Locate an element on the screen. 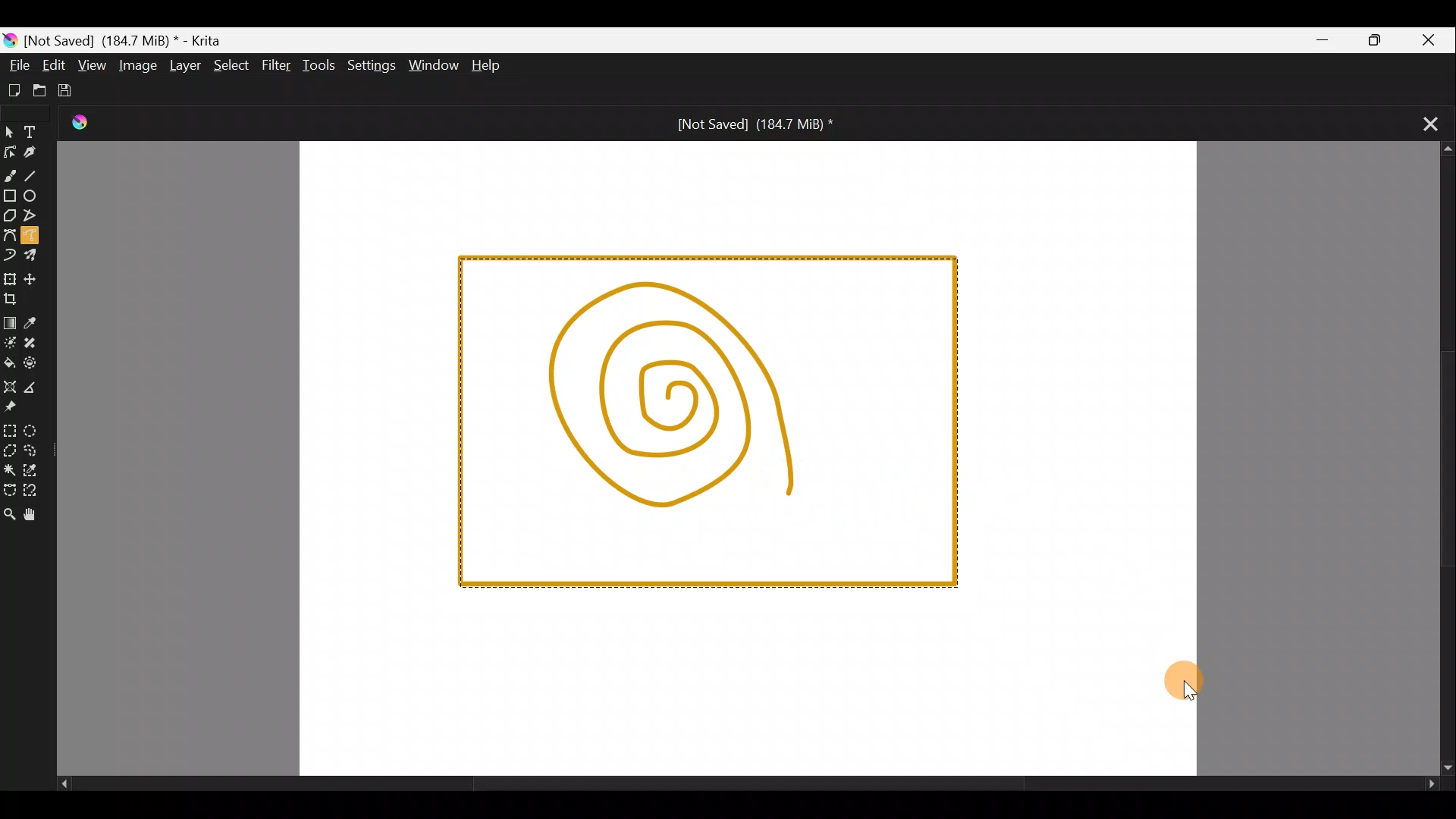  Spiral shape is located at coordinates (688, 402).